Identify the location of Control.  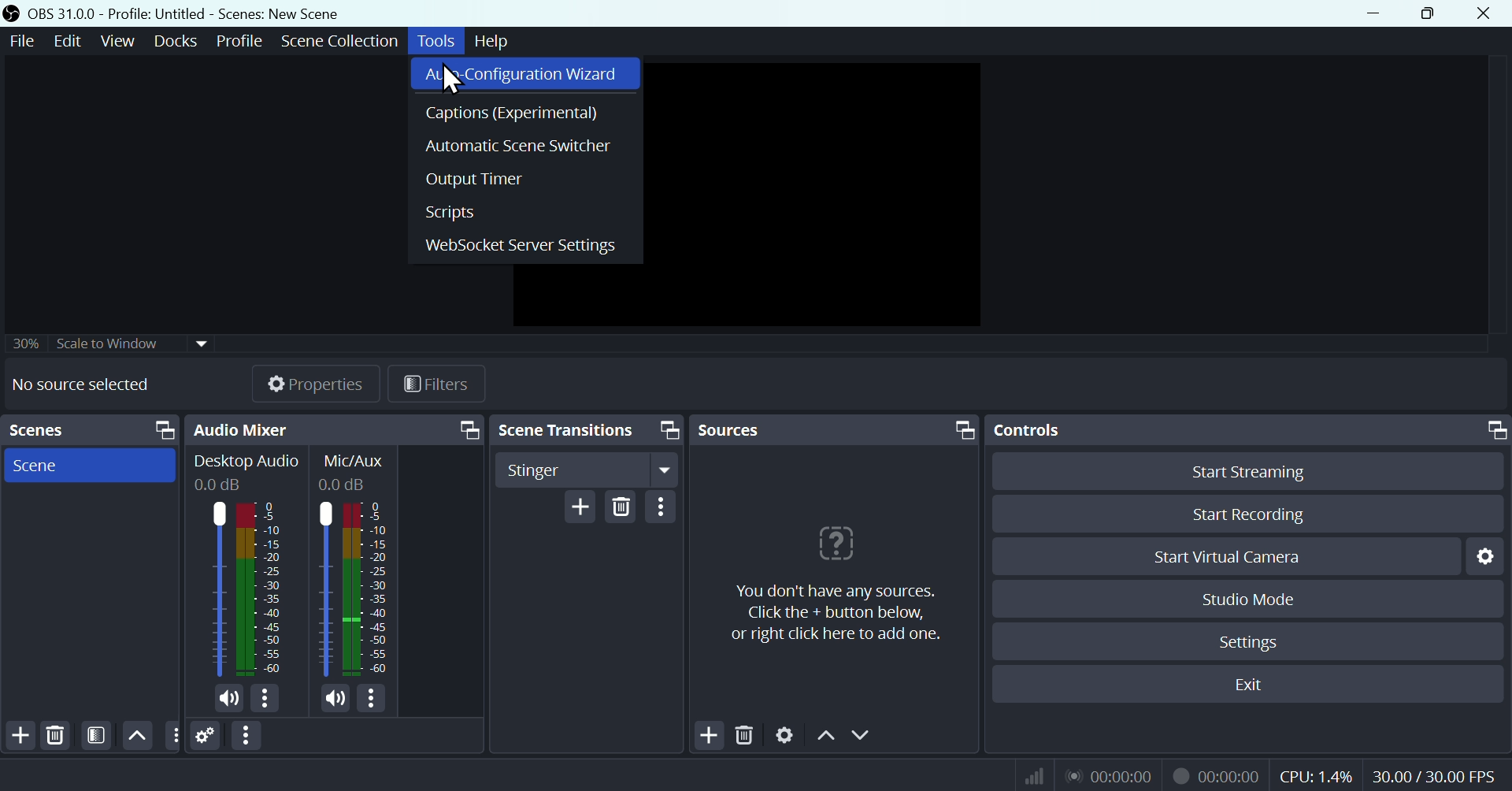
(1038, 431).